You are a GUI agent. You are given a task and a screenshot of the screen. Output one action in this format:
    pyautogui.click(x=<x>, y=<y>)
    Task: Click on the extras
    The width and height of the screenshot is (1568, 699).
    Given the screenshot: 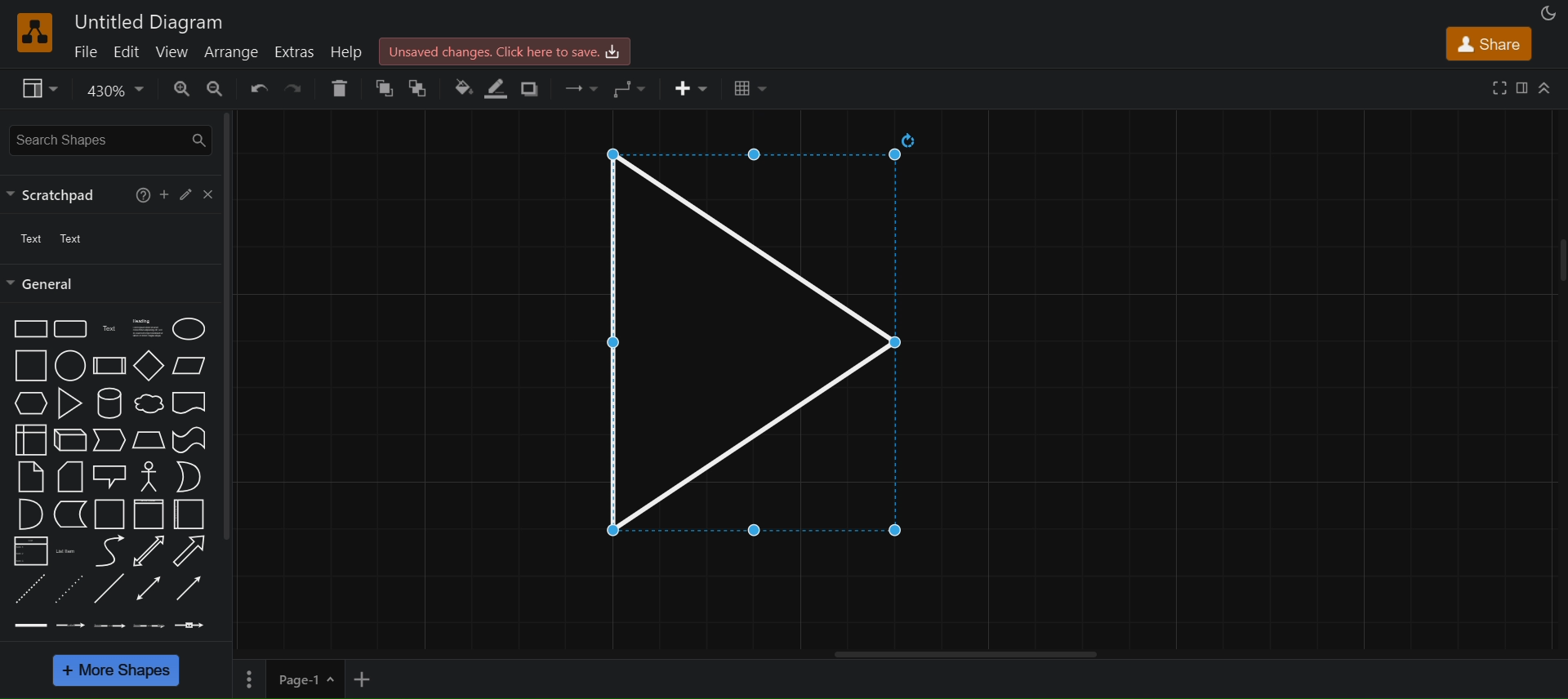 What is the action you would take?
    pyautogui.click(x=296, y=50)
    